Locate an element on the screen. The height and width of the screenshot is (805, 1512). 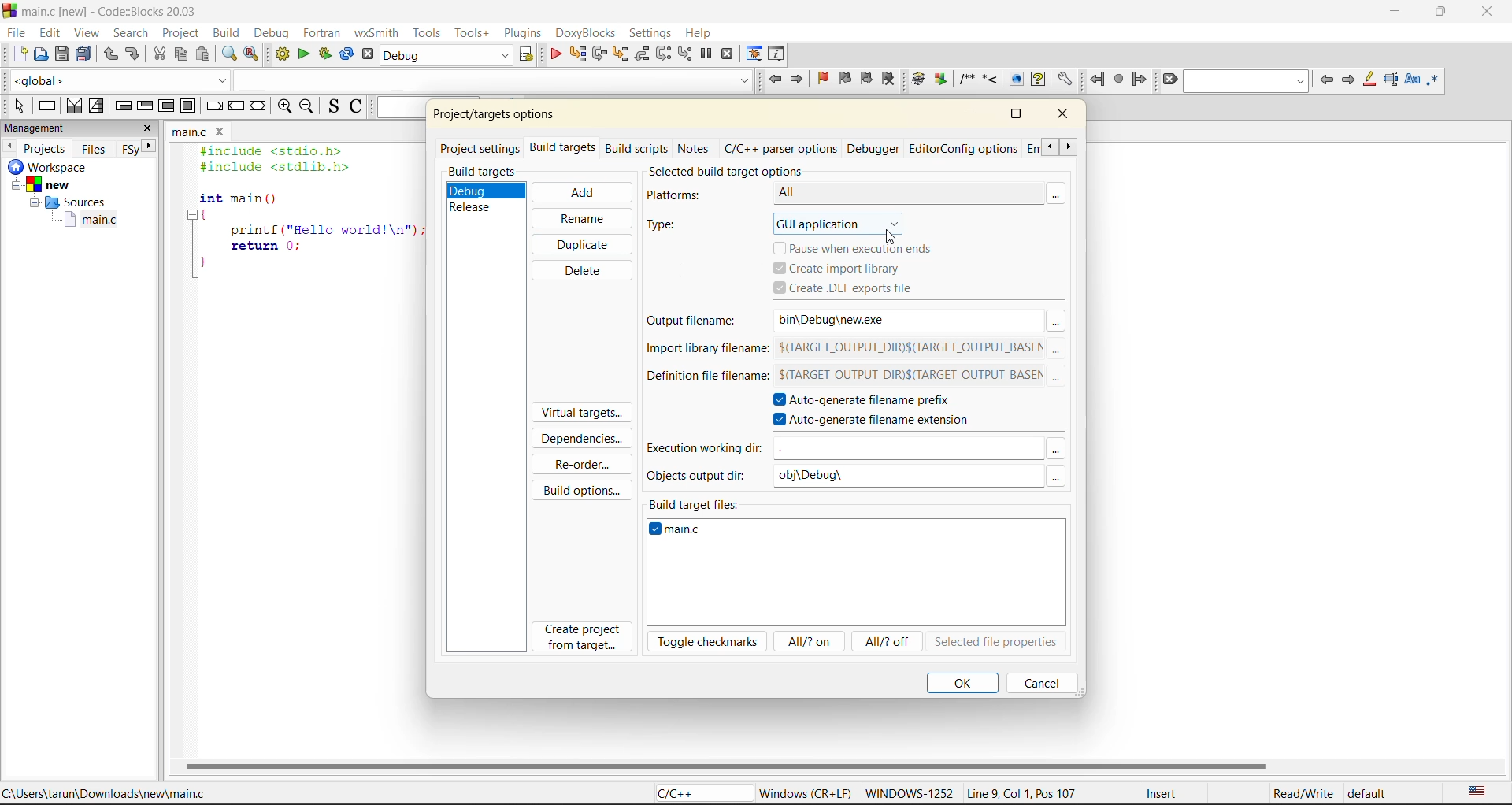
main.c is located at coordinates (94, 222).